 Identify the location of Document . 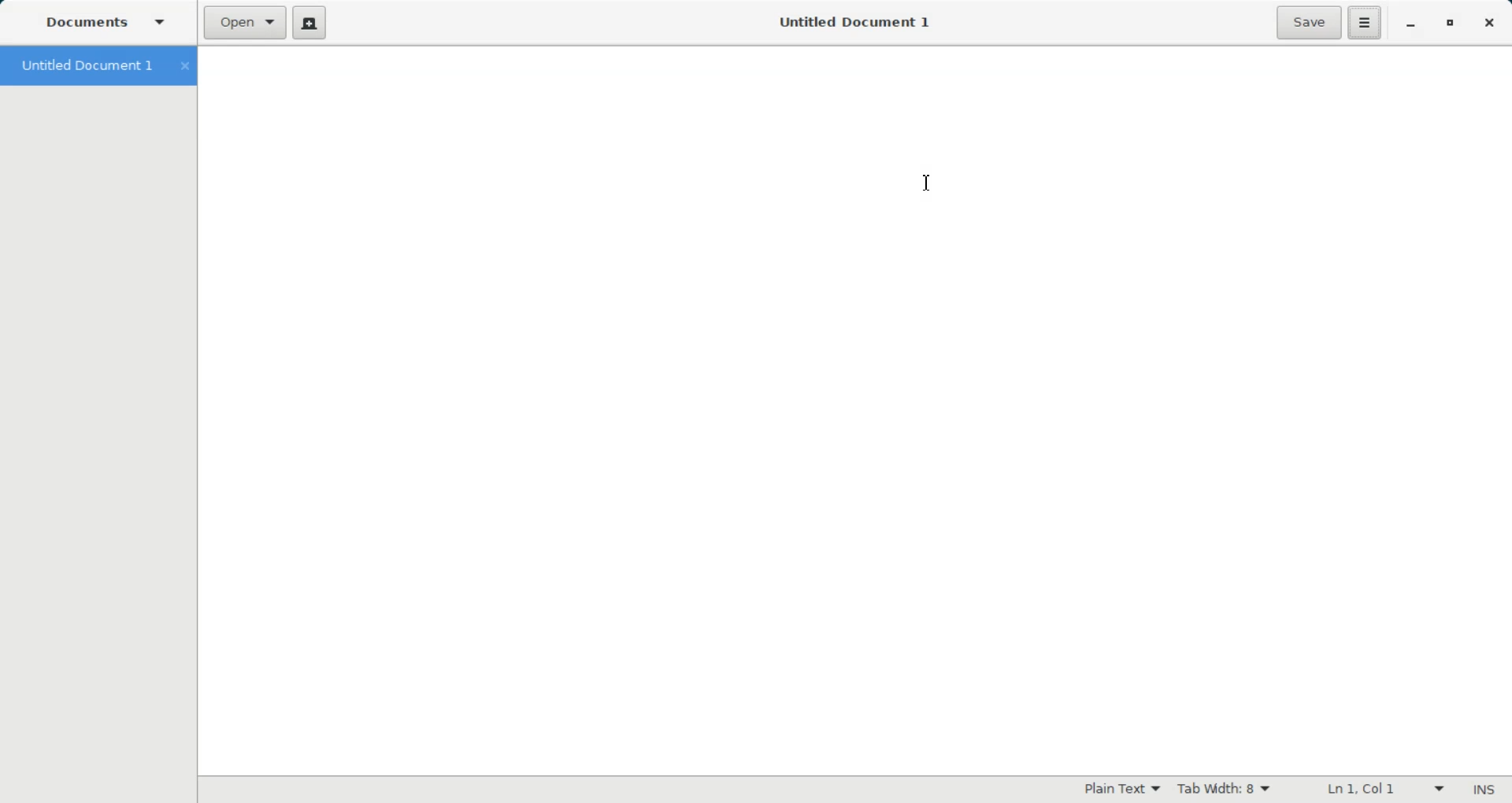
(110, 24).